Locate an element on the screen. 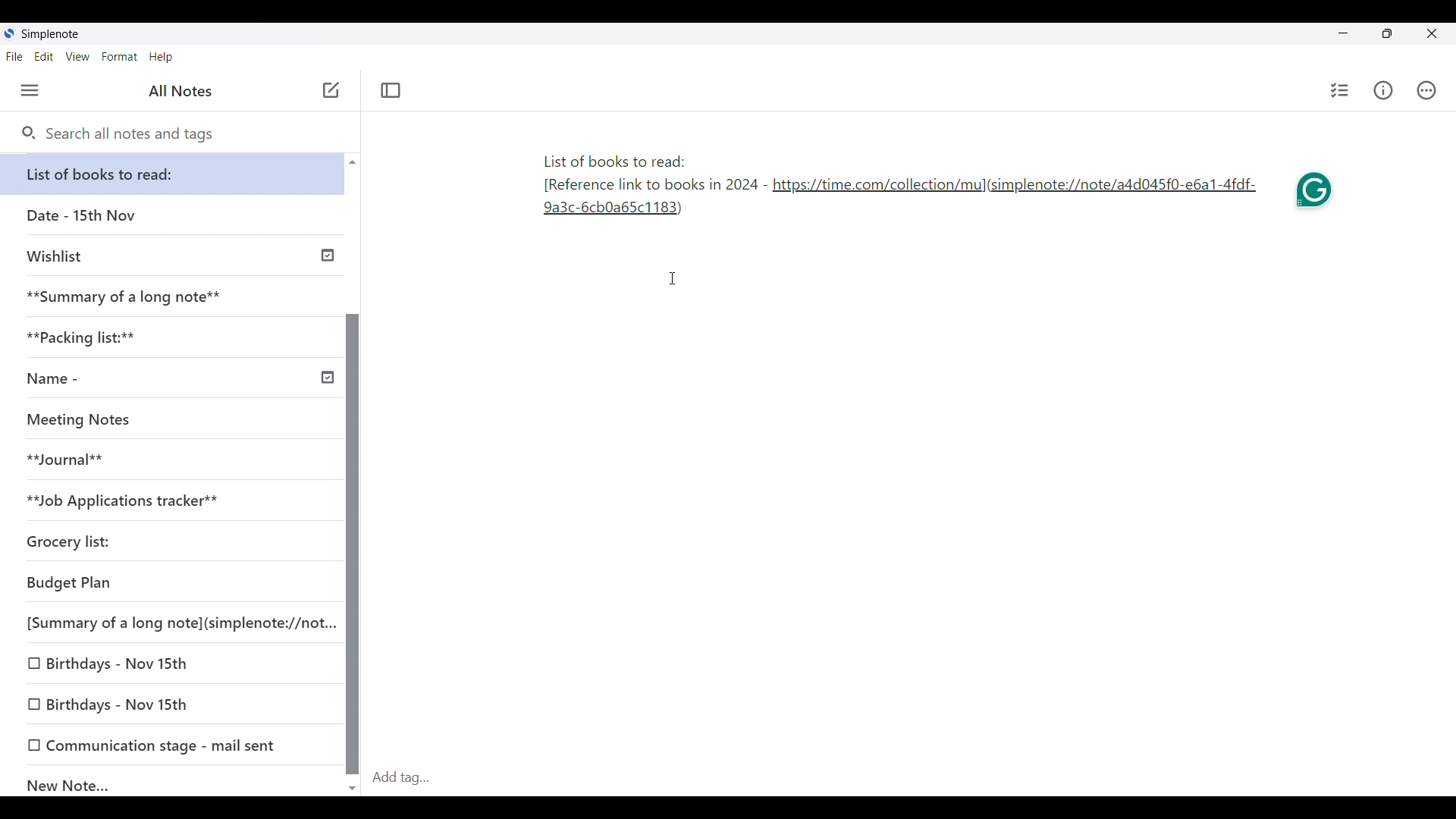 This screenshot has height=819, width=1456. Menu is located at coordinates (30, 91).